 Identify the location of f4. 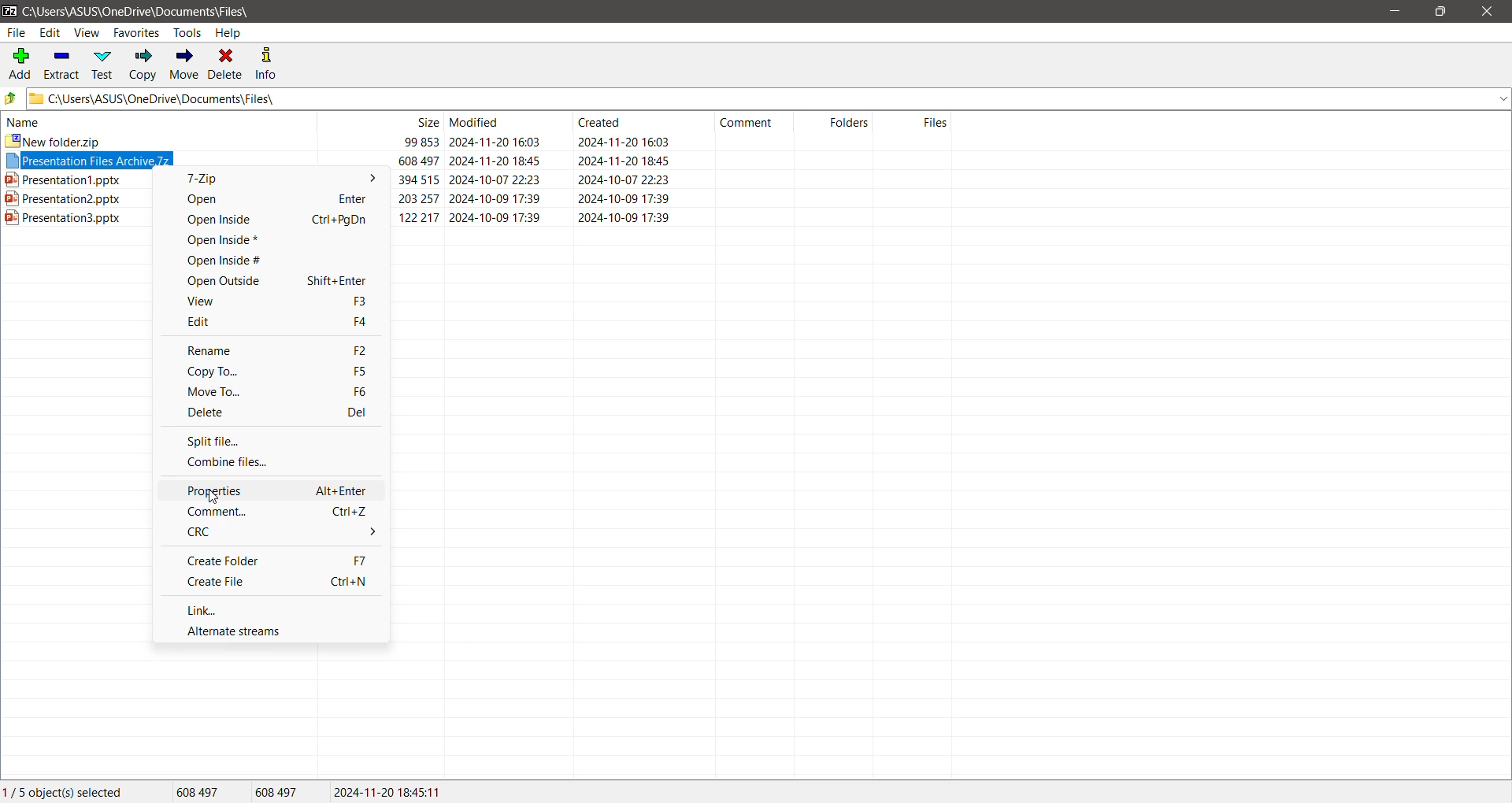
(352, 322).